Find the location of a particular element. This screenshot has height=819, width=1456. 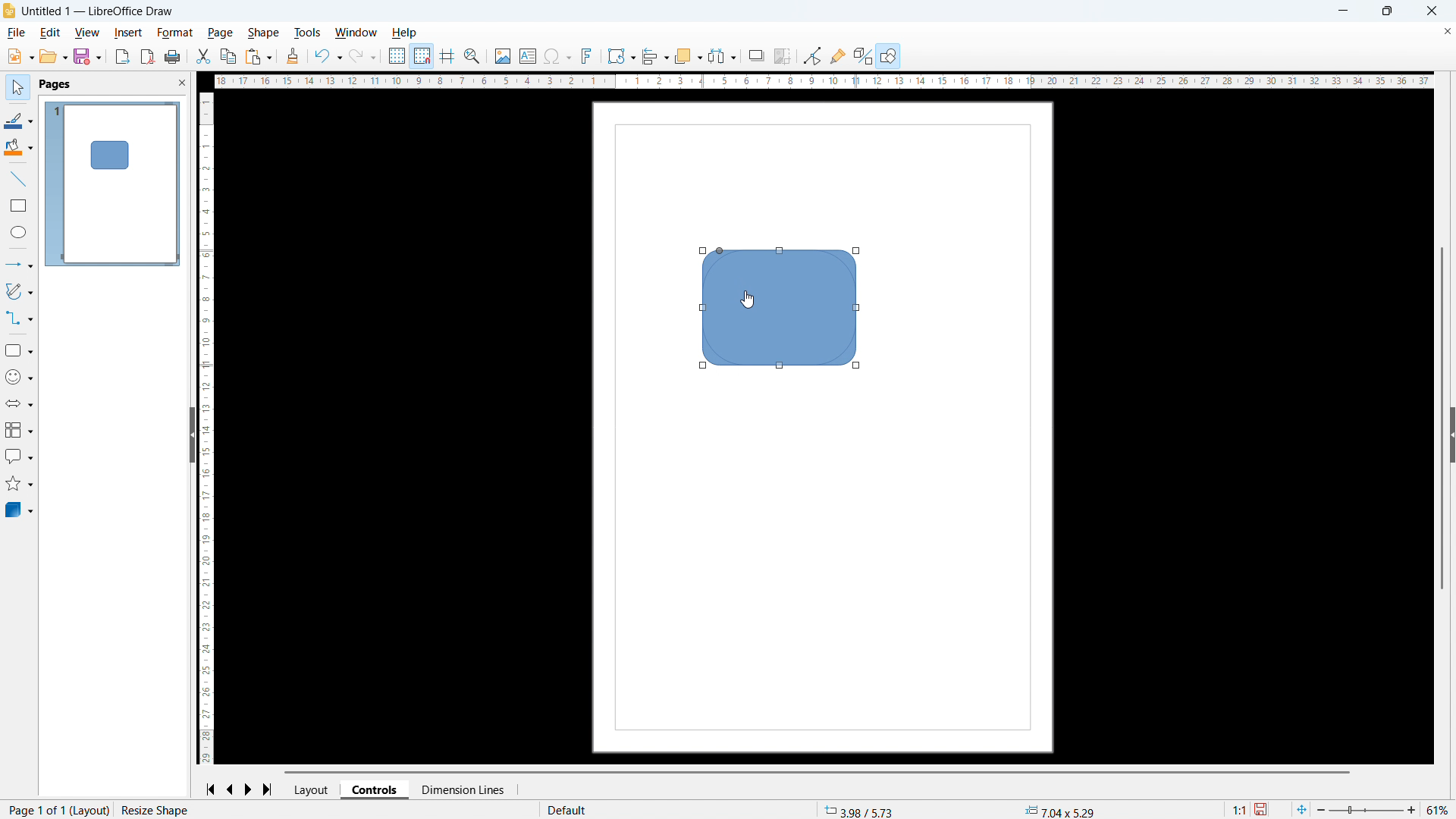

Untitled 1 - LibreOffice Draw is located at coordinates (100, 12).